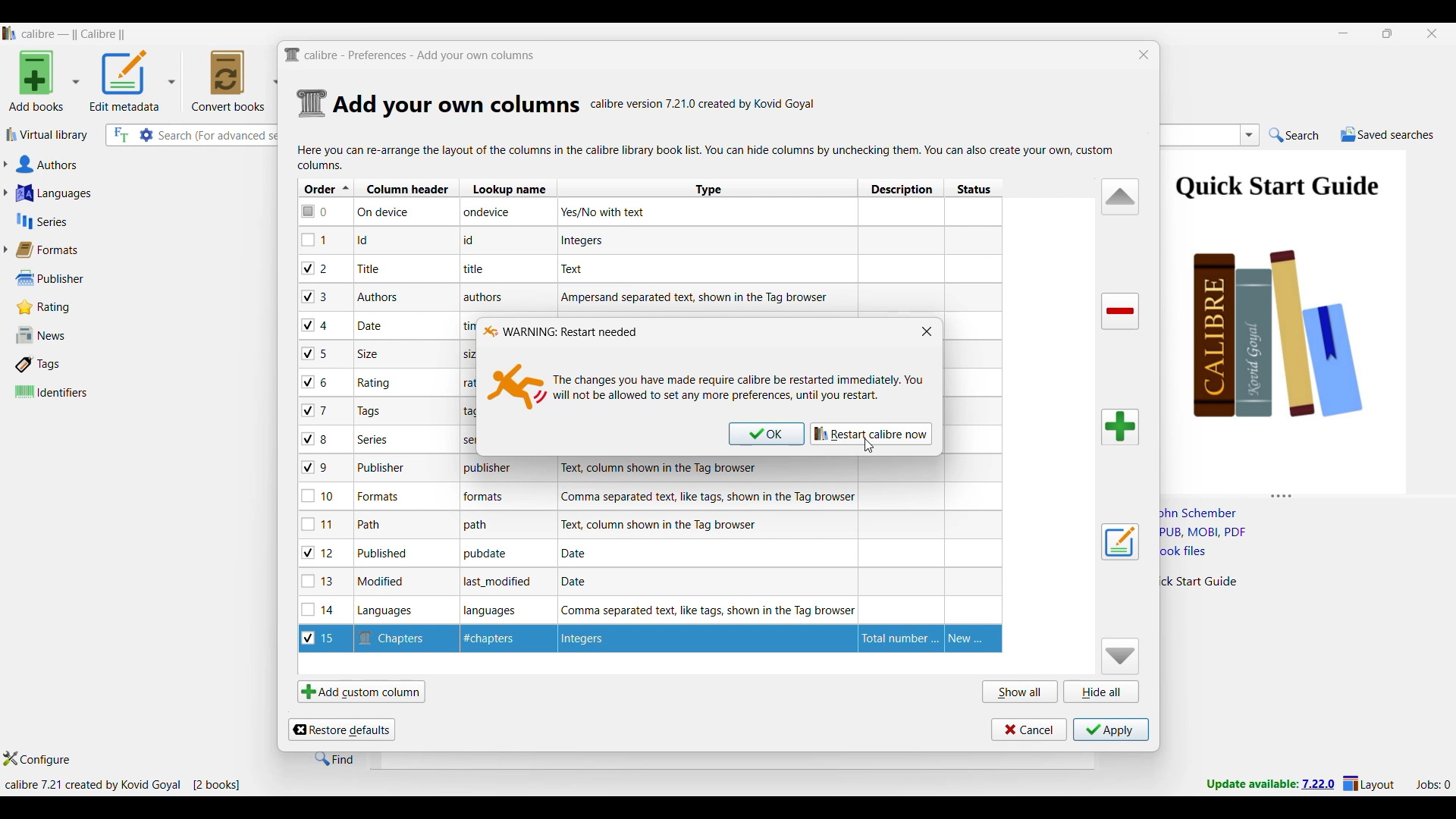 This screenshot has height=819, width=1456. I want to click on Explanation, so click(704, 609).